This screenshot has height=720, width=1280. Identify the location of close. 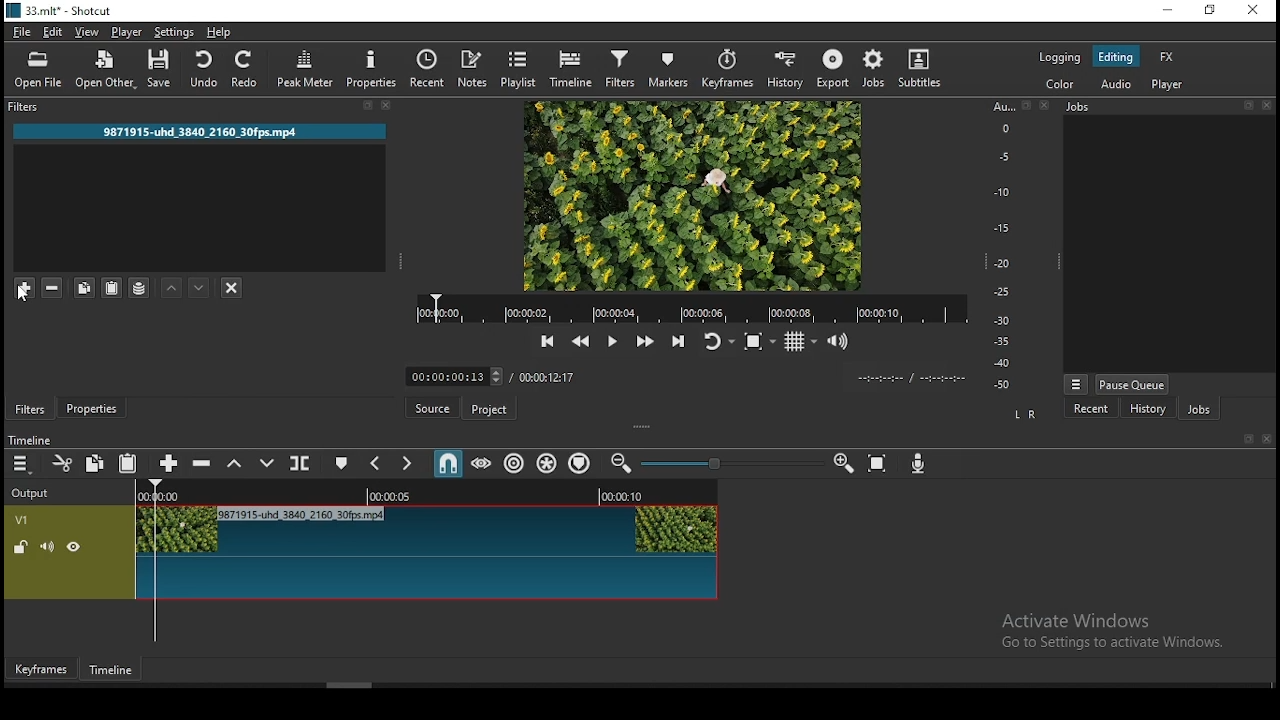
(1267, 105).